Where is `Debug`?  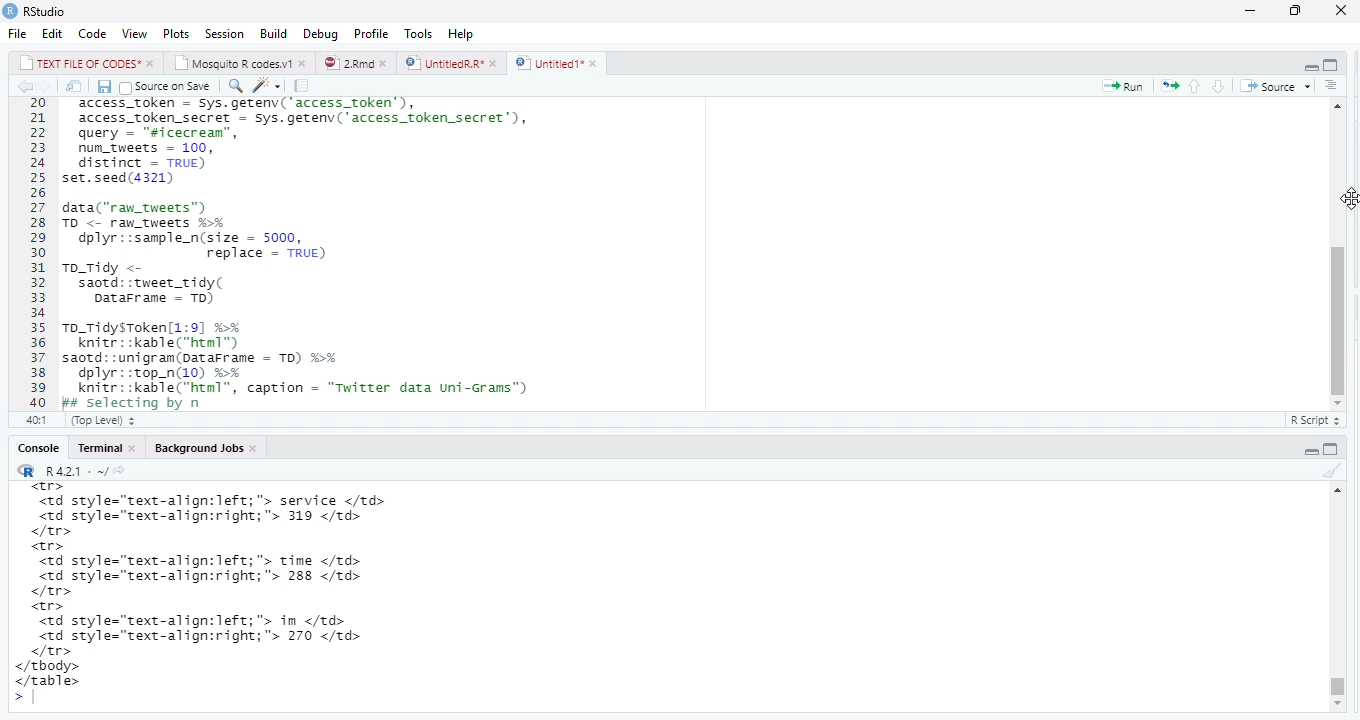 Debug is located at coordinates (318, 34).